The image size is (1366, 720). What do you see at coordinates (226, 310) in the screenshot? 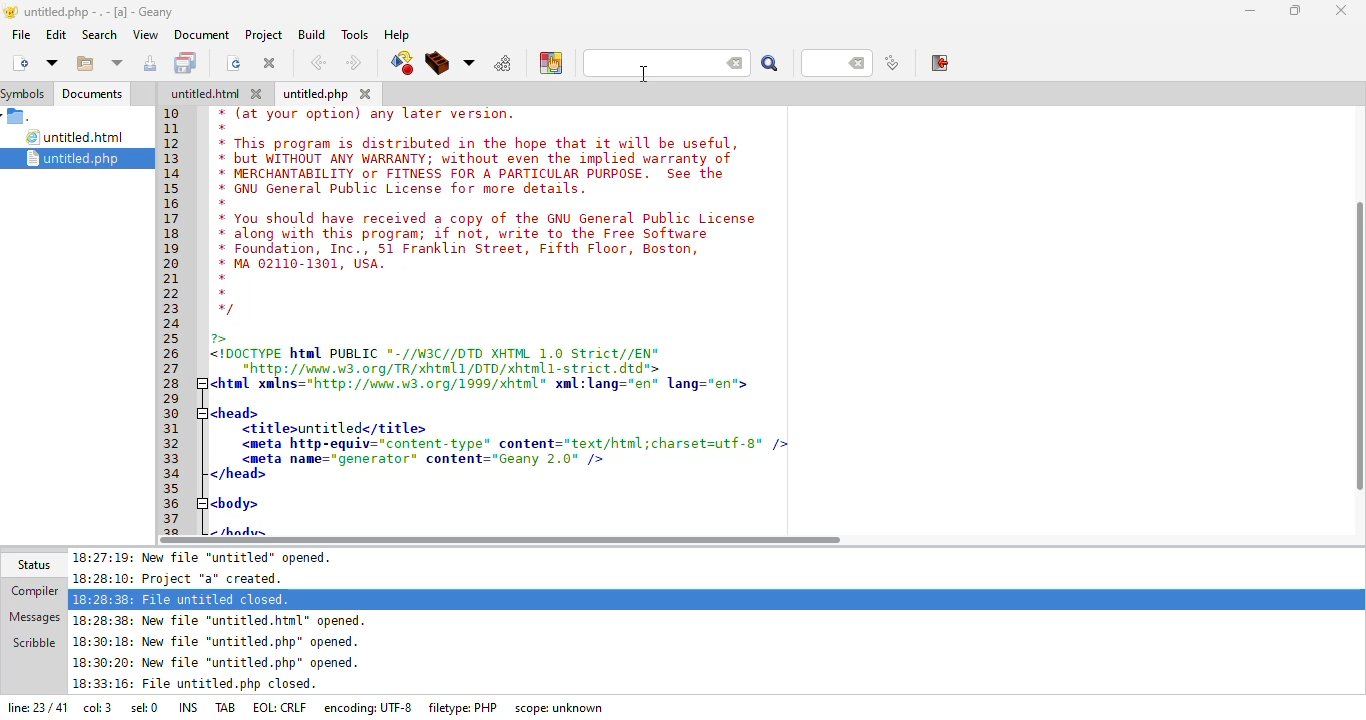
I see `*/` at bounding box center [226, 310].